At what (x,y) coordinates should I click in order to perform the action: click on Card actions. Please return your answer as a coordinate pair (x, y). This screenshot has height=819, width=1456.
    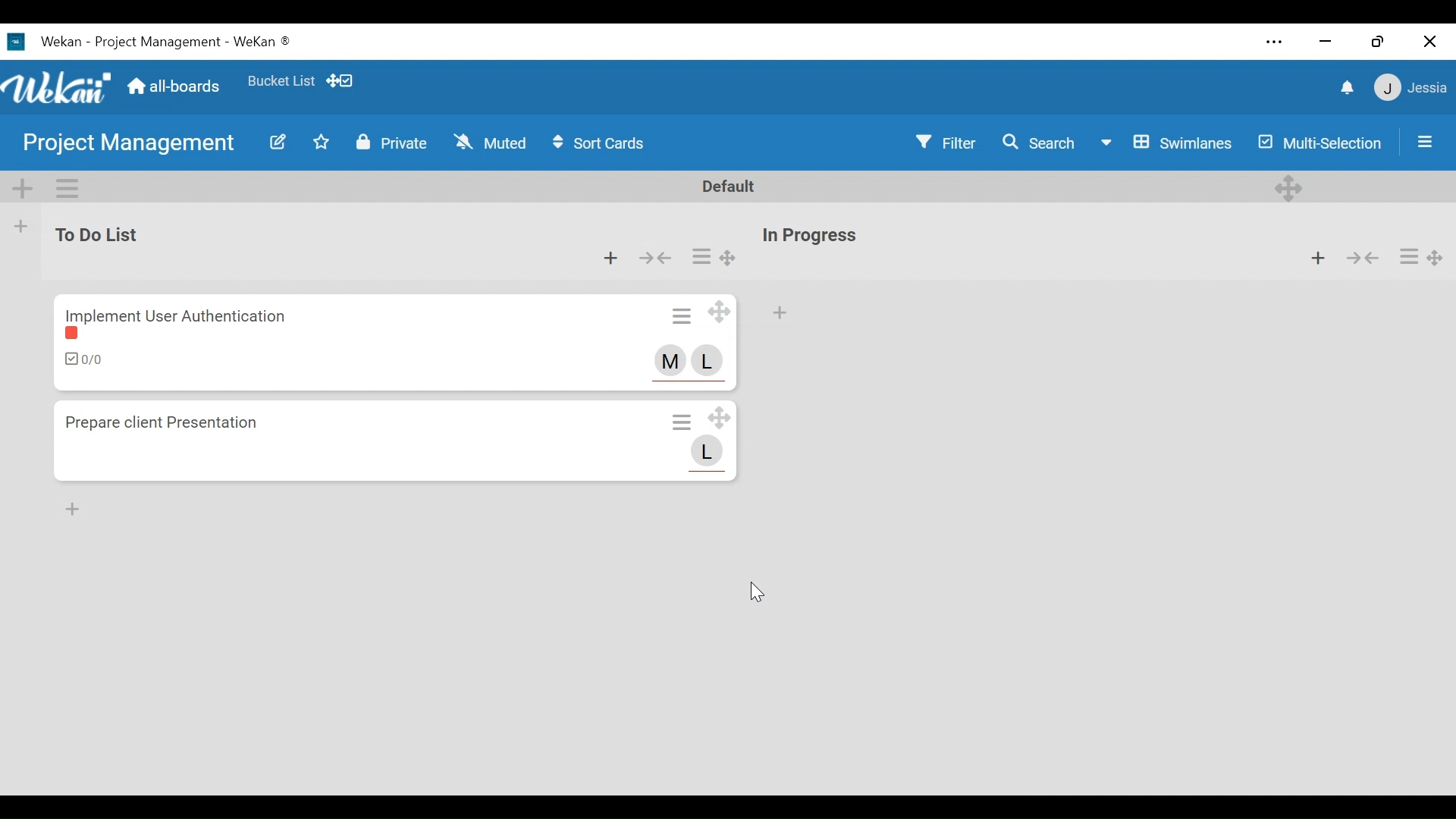
    Looking at the image, I should click on (681, 422).